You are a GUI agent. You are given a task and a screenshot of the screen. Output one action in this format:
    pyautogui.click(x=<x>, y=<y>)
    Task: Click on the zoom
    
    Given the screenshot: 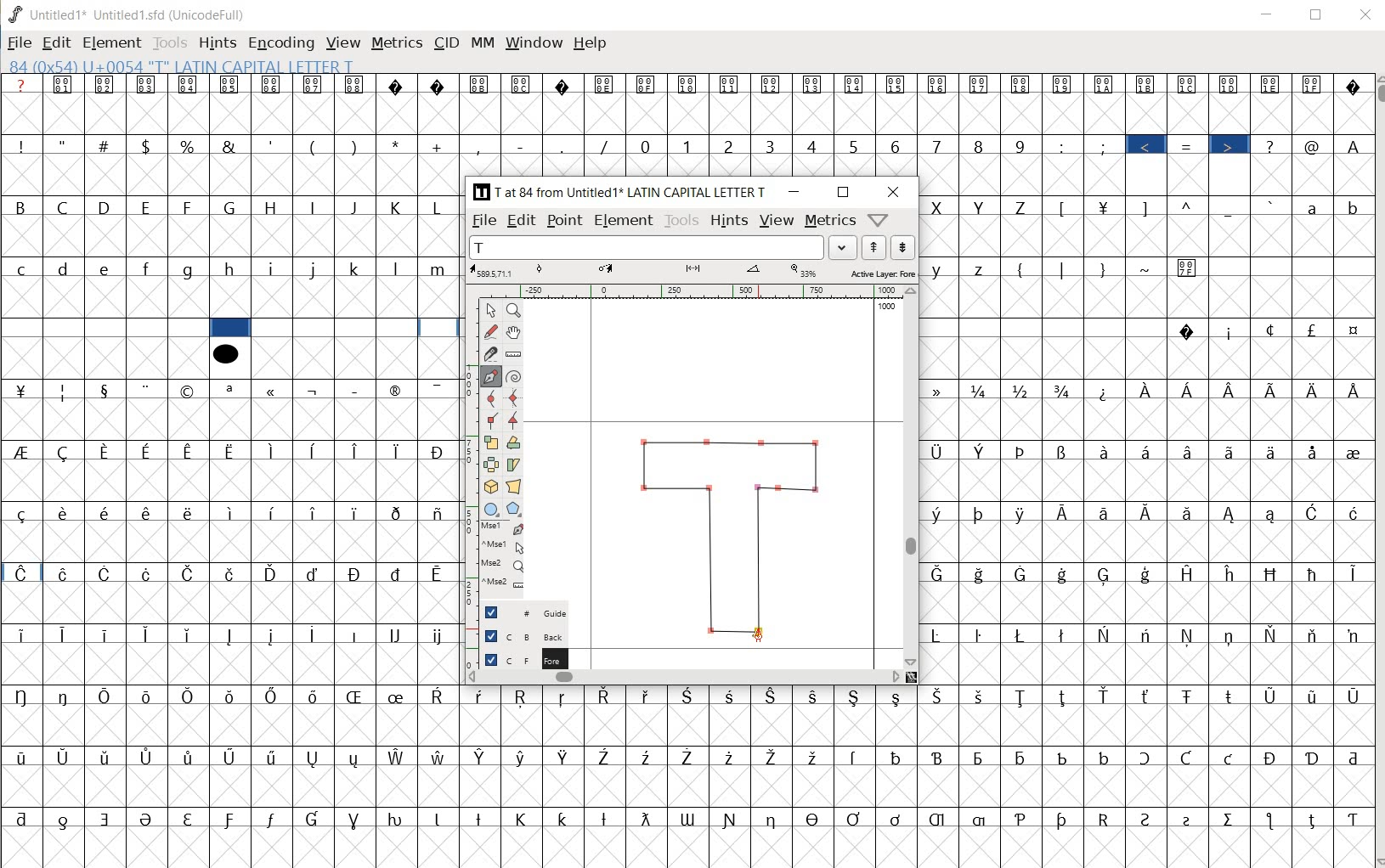 What is the action you would take?
    pyautogui.click(x=516, y=309)
    